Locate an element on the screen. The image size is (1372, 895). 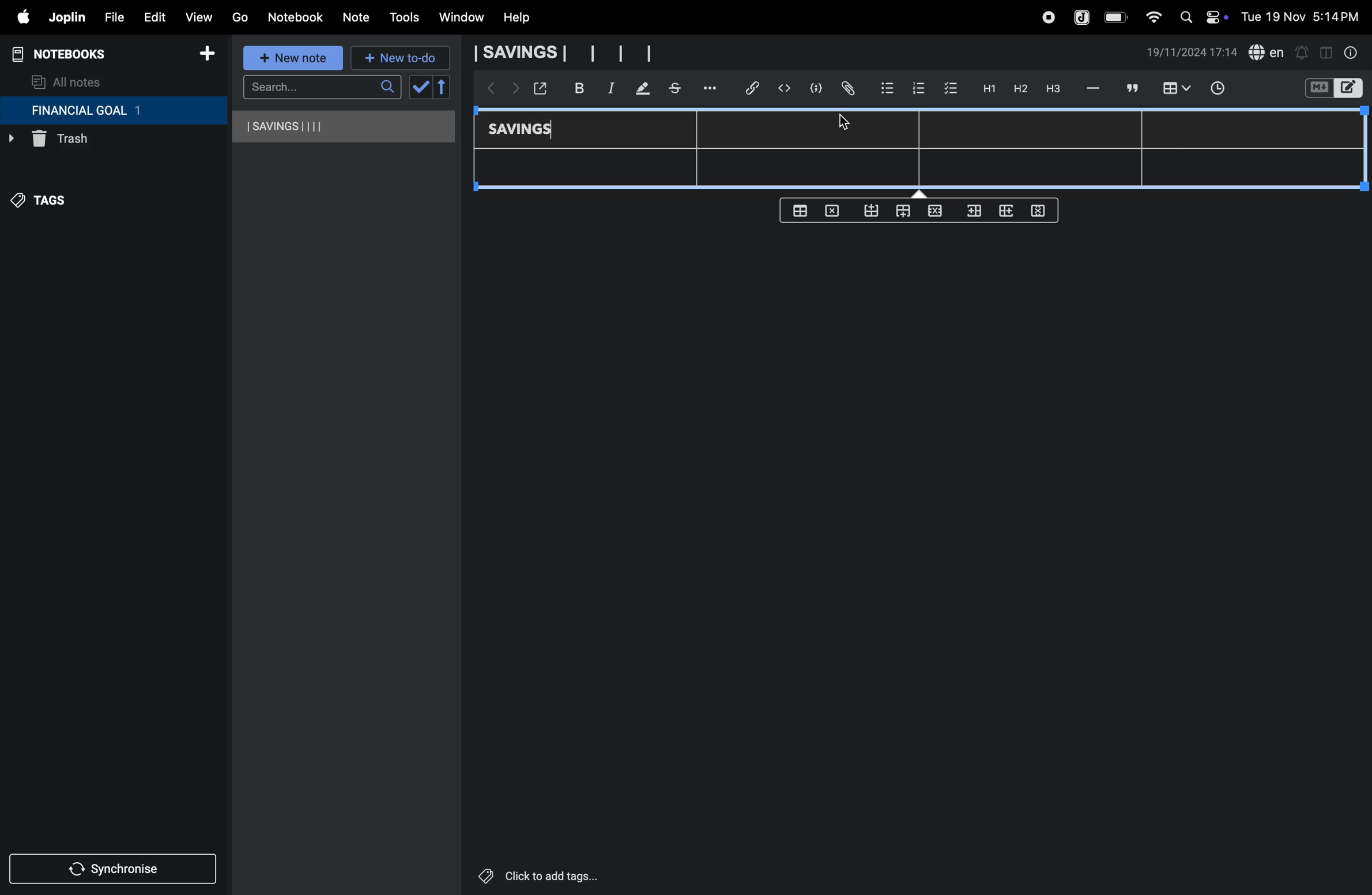
reverse sort order is located at coordinates (443, 87).